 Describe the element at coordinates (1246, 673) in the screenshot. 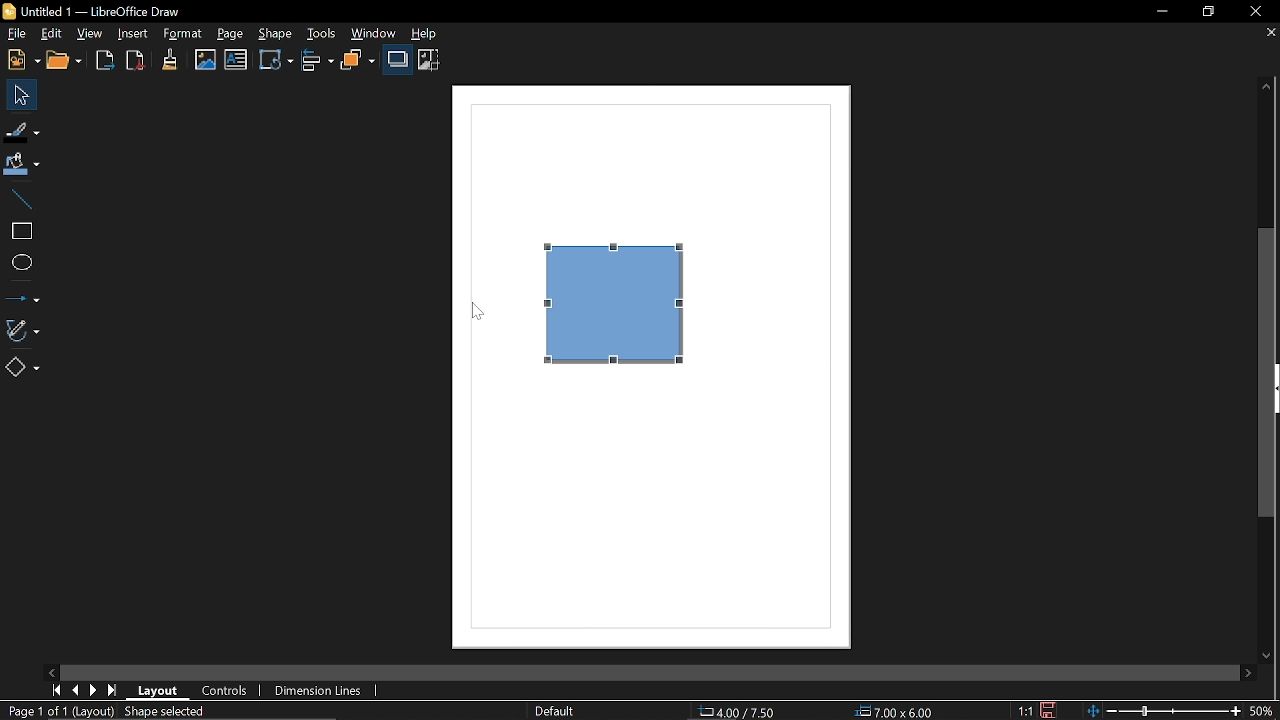

I see `Move right` at that location.